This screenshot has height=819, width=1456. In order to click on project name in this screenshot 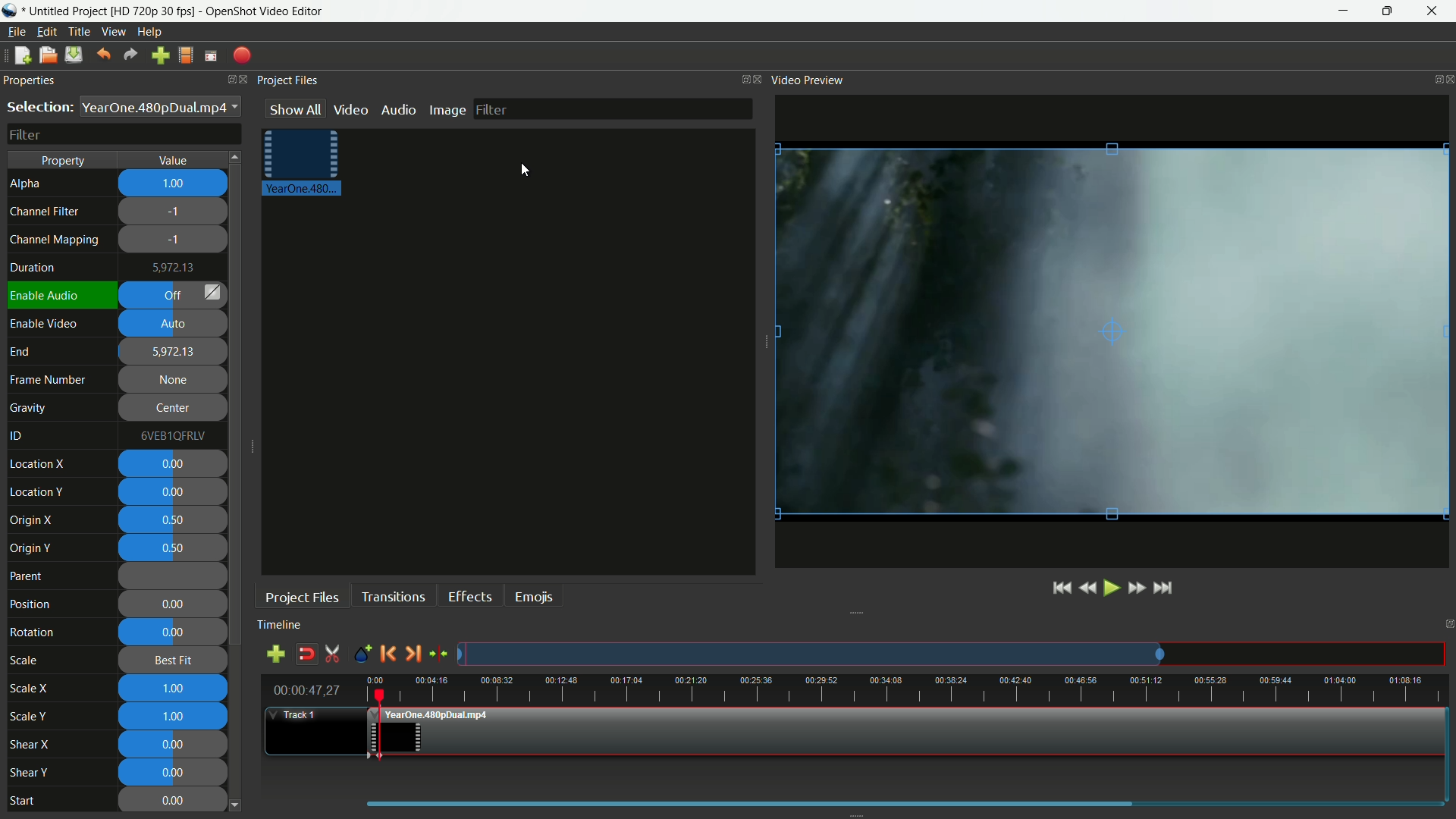, I will do `click(62, 11)`.